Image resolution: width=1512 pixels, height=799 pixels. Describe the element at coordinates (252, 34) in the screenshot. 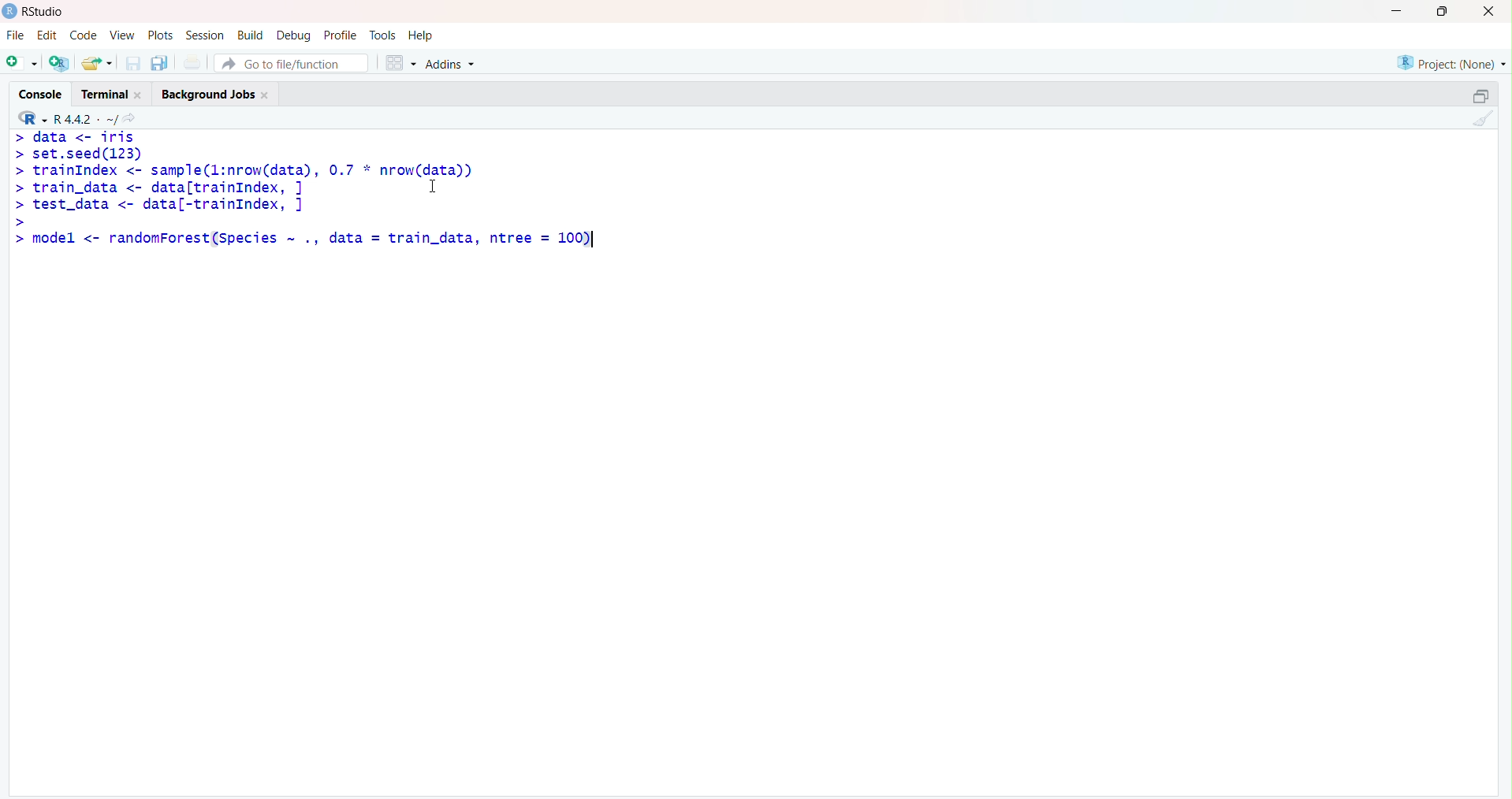

I see `Build` at that location.